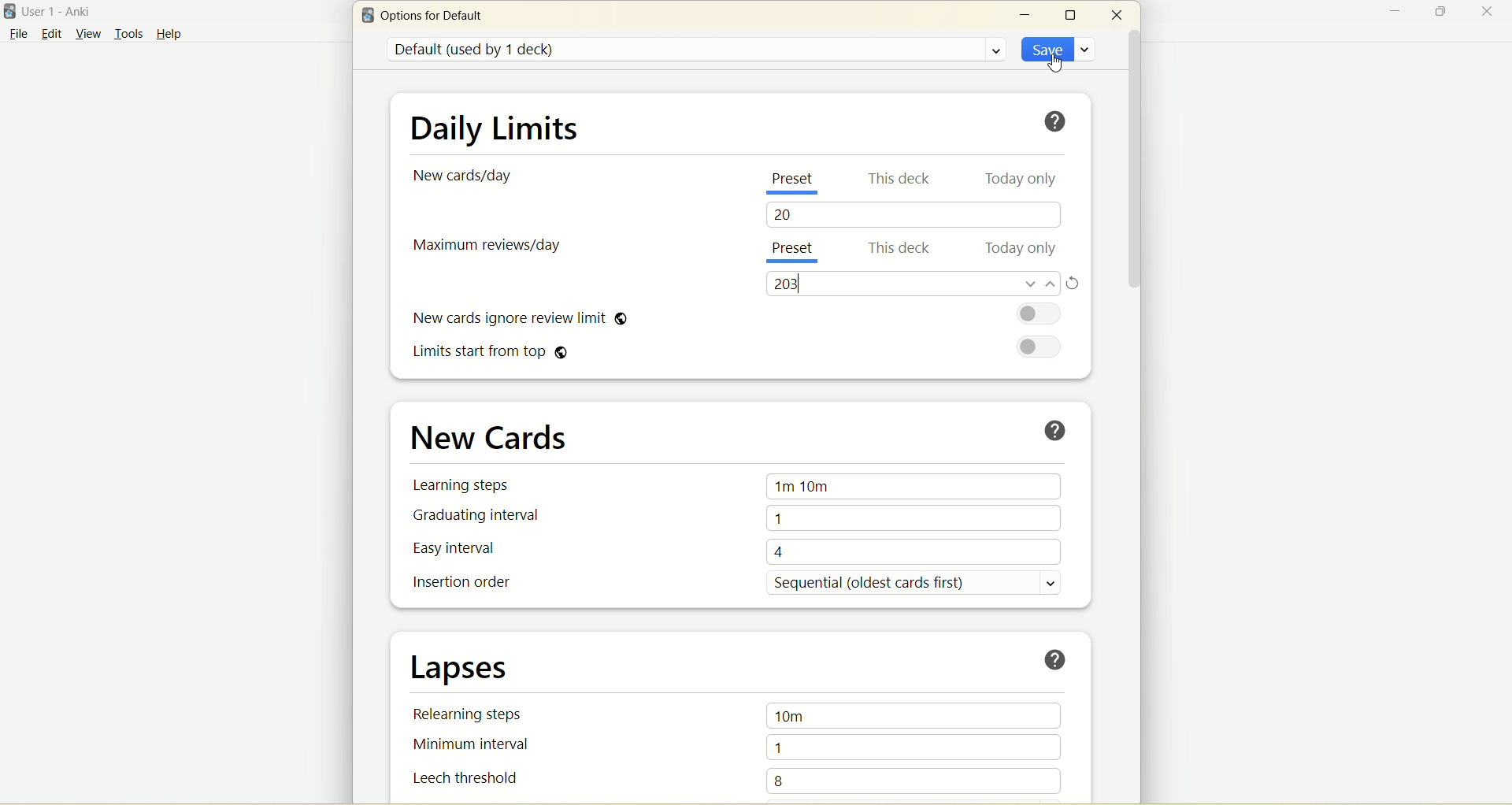 The height and width of the screenshot is (805, 1512). I want to click on this deck, so click(901, 177).